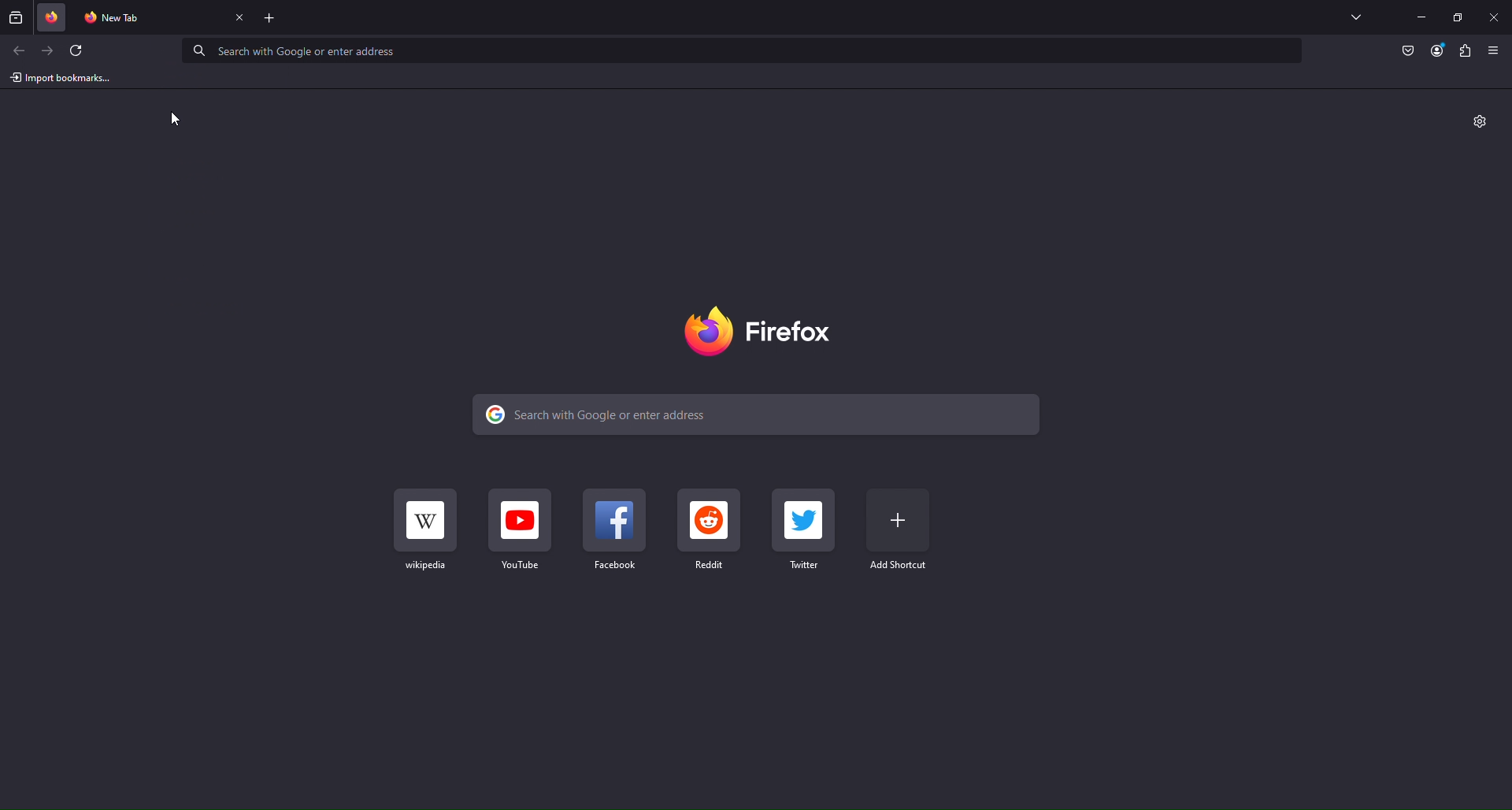 The width and height of the screenshot is (1512, 810). What do you see at coordinates (61, 78) in the screenshot?
I see `Import bookmarks` at bounding box center [61, 78].